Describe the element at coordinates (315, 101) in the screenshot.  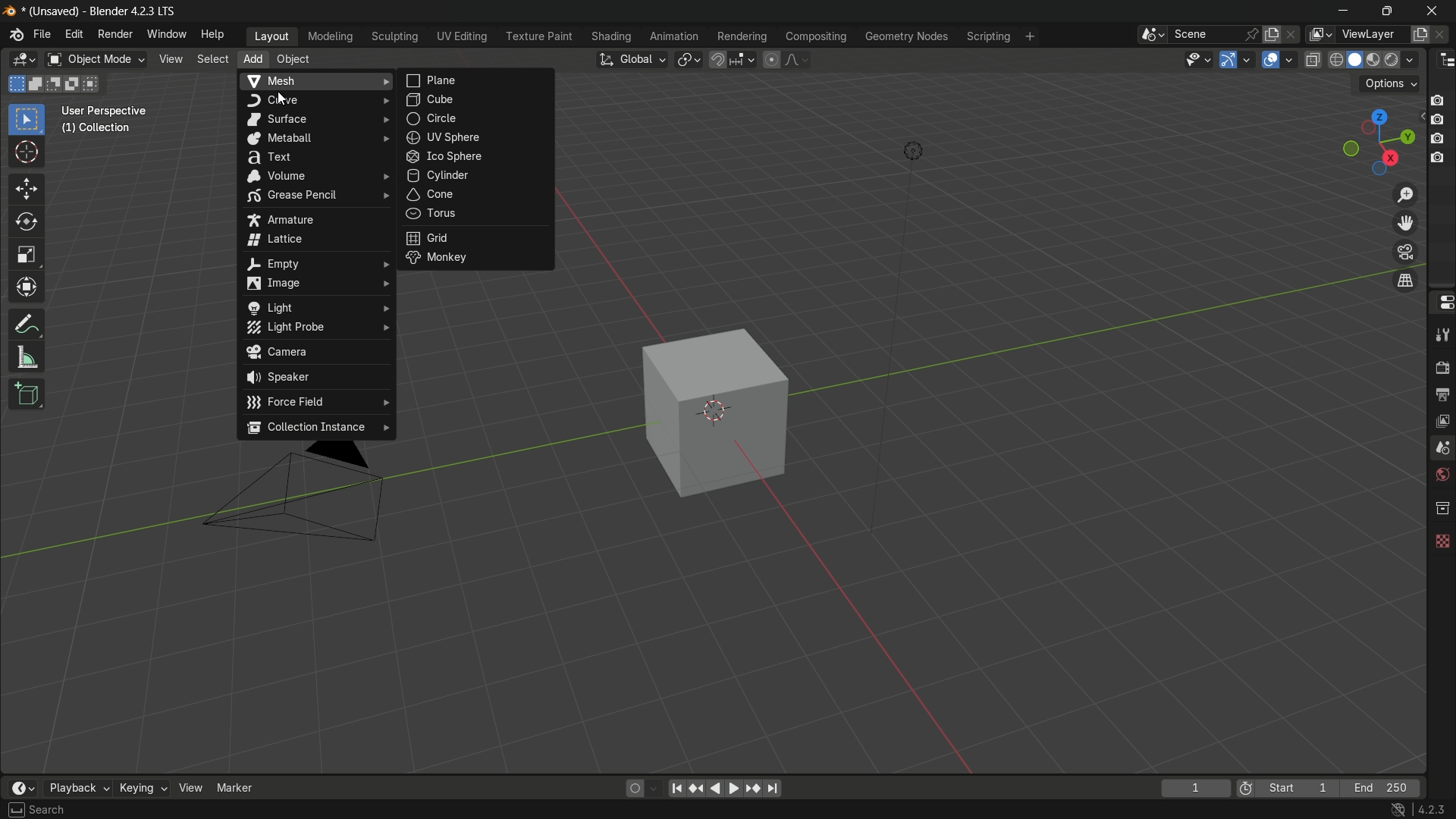
I see `curve` at that location.